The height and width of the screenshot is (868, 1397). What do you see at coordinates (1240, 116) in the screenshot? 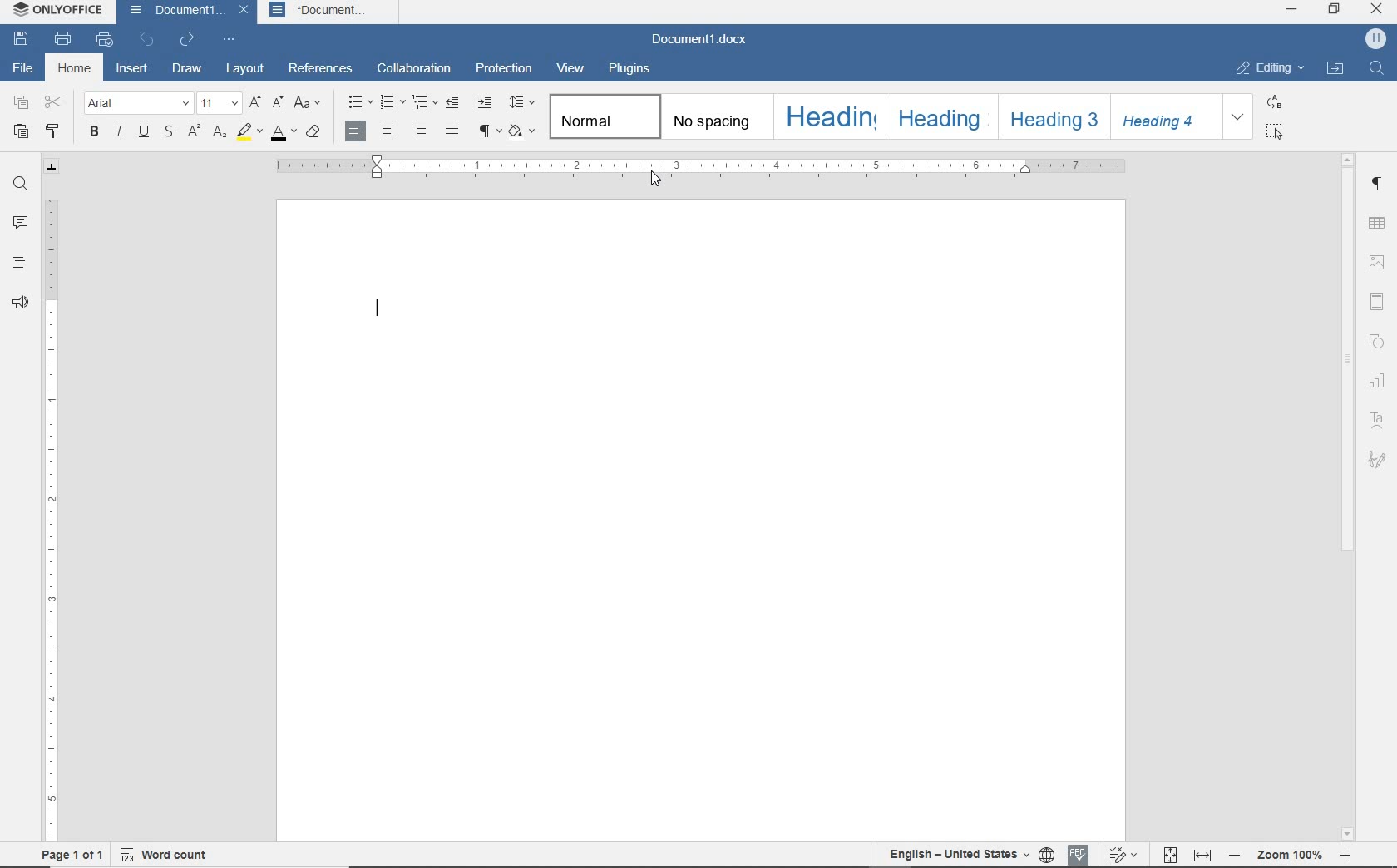
I see `EXPAND` at bounding box center [1240, 116].